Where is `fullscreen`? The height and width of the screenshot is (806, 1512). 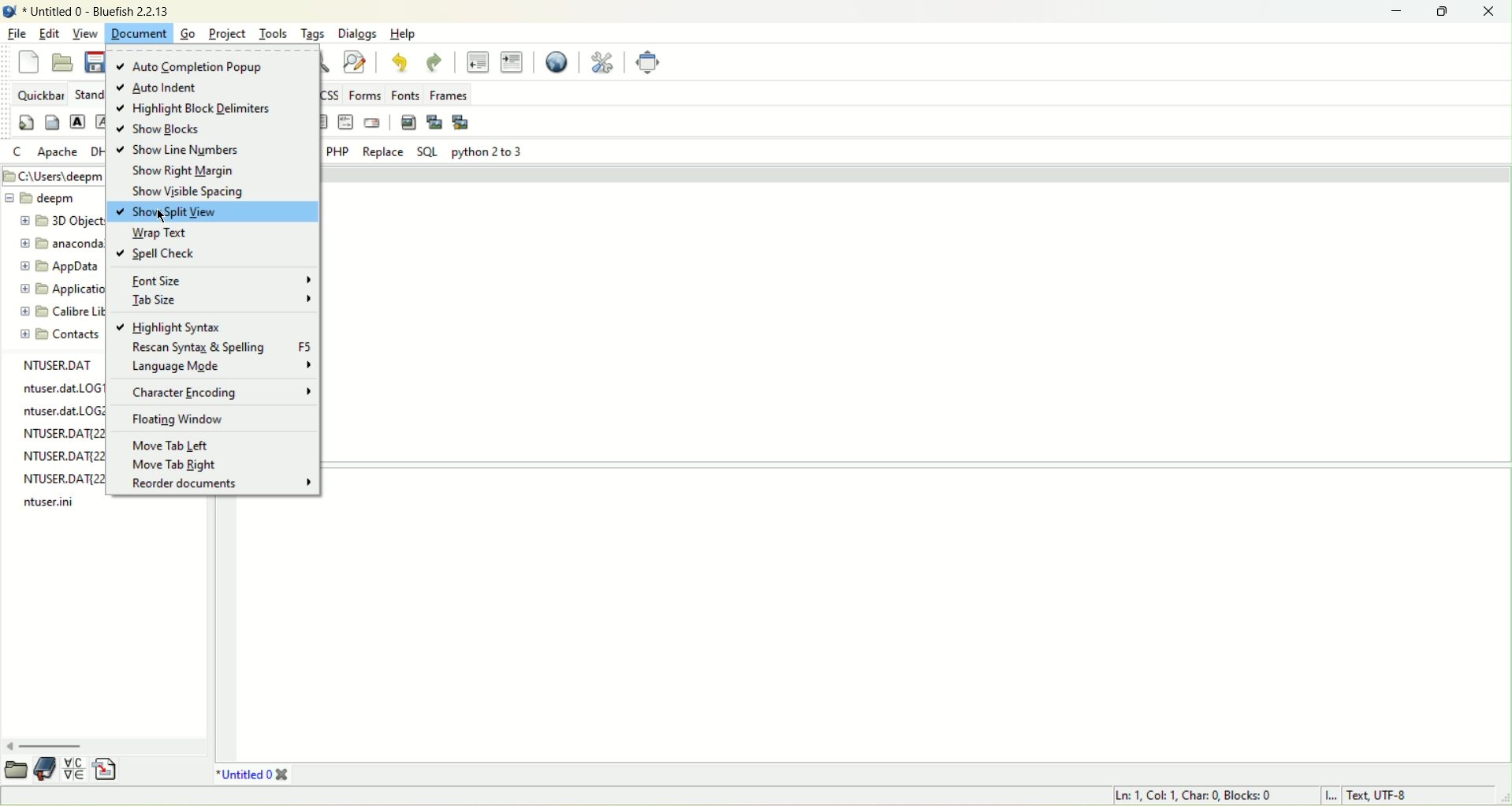
fullscreen is located at coordinates (647, 62).